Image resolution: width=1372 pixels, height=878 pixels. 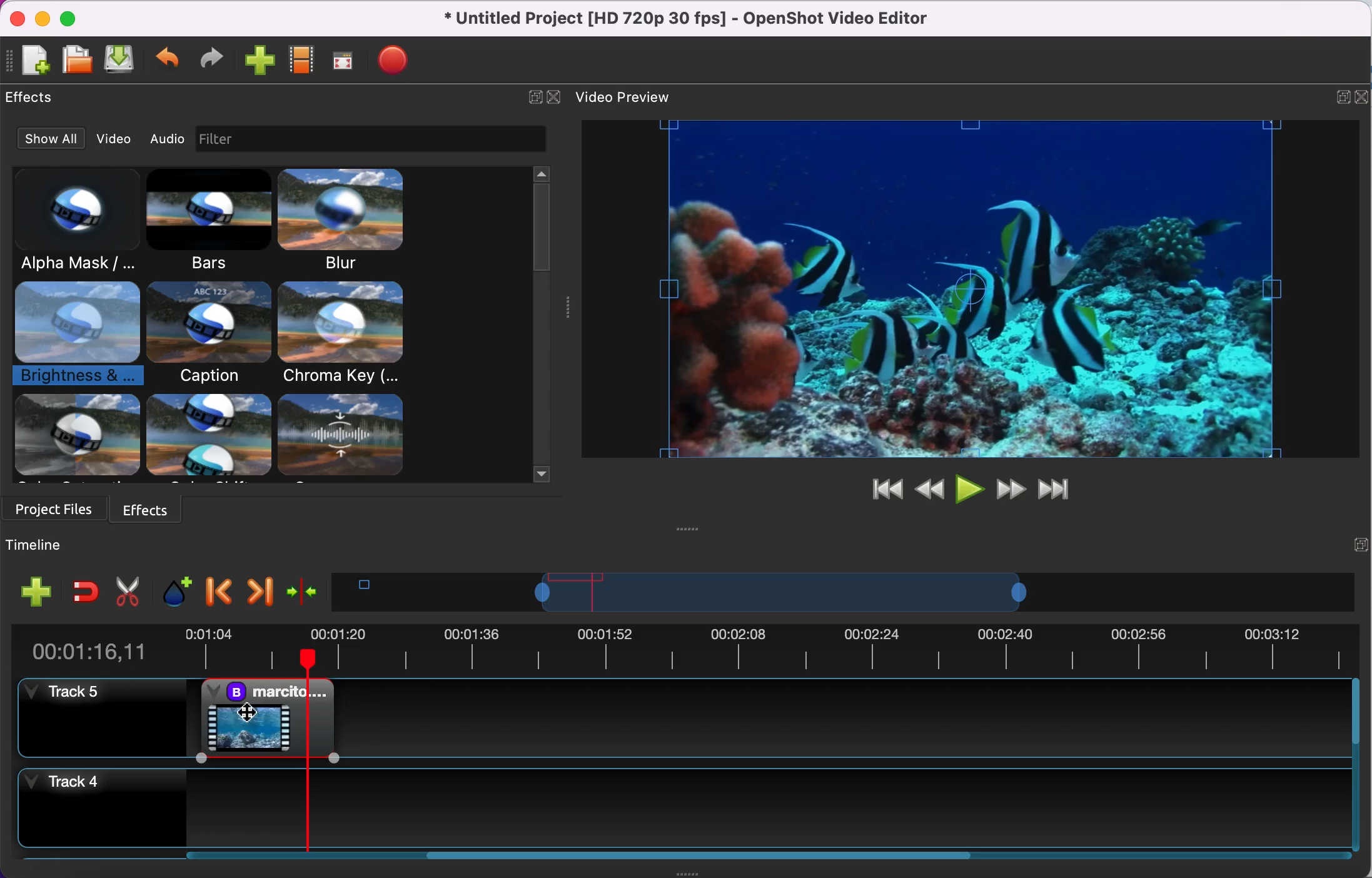 What do you see at coordinates (531, 95) in the screenshot?
I see `expand/hide` at bounding box center [531, 95].